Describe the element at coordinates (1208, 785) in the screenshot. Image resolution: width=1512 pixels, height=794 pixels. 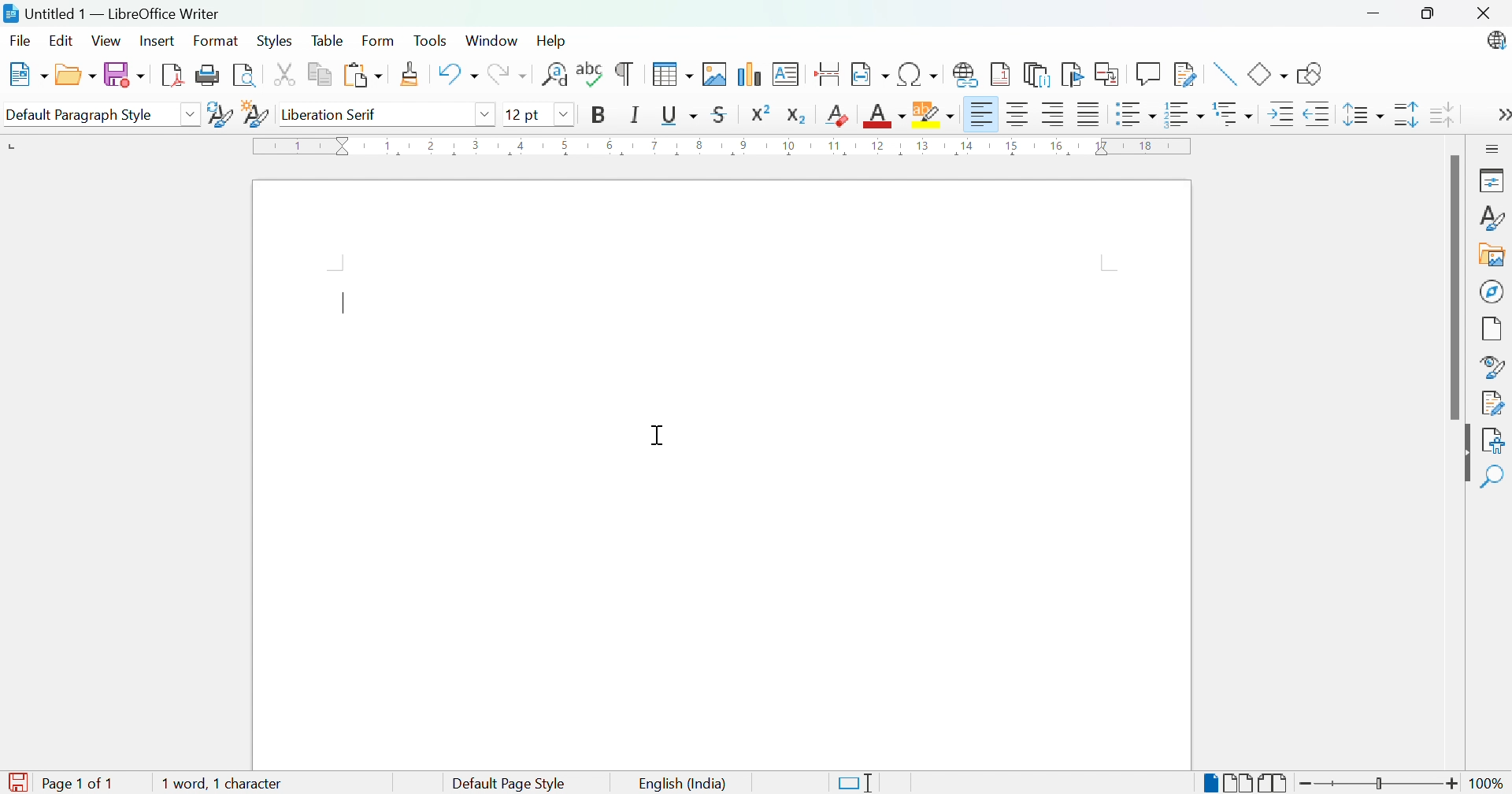
I see `Single-page view` at that location.